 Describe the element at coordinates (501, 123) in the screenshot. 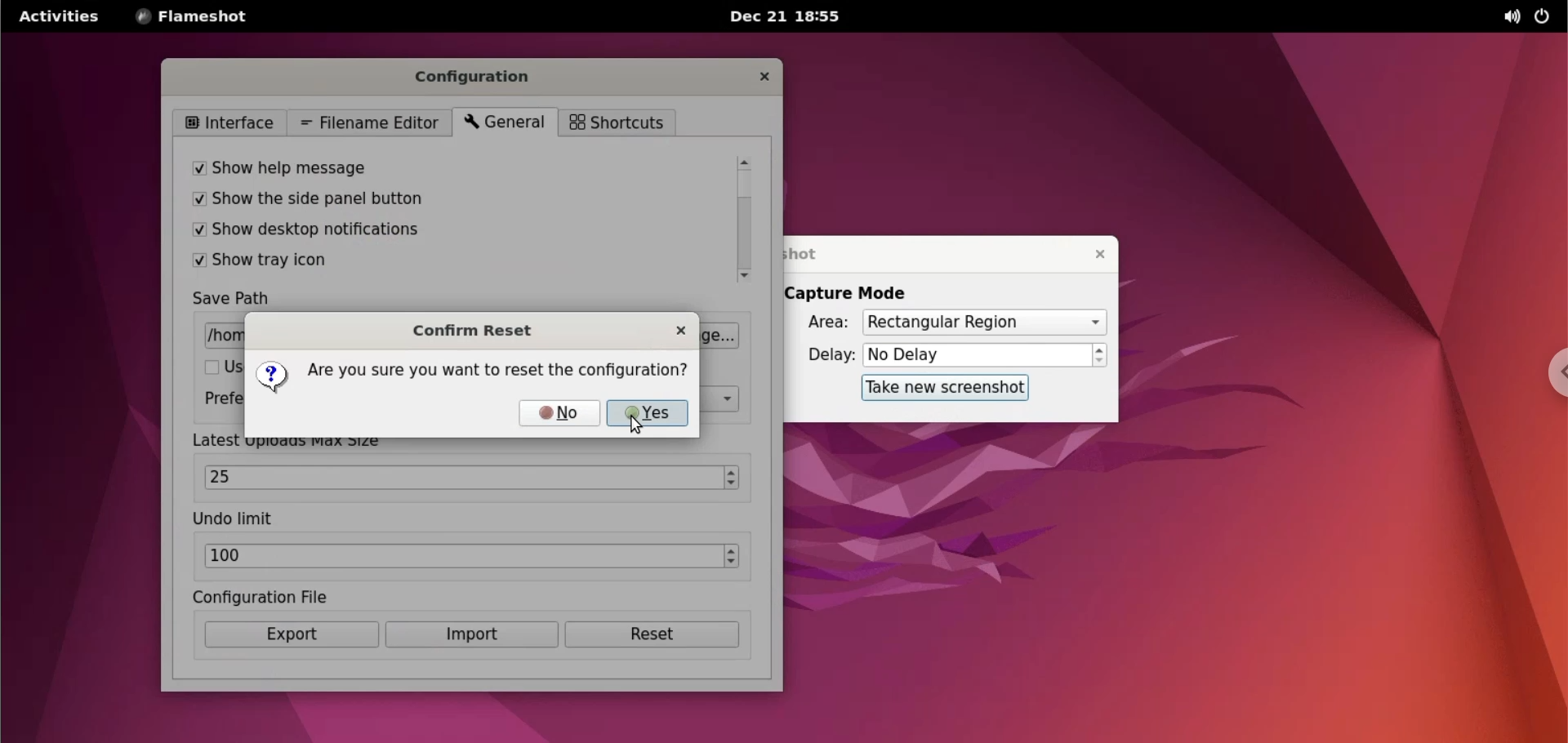

I see `general ` at that location.